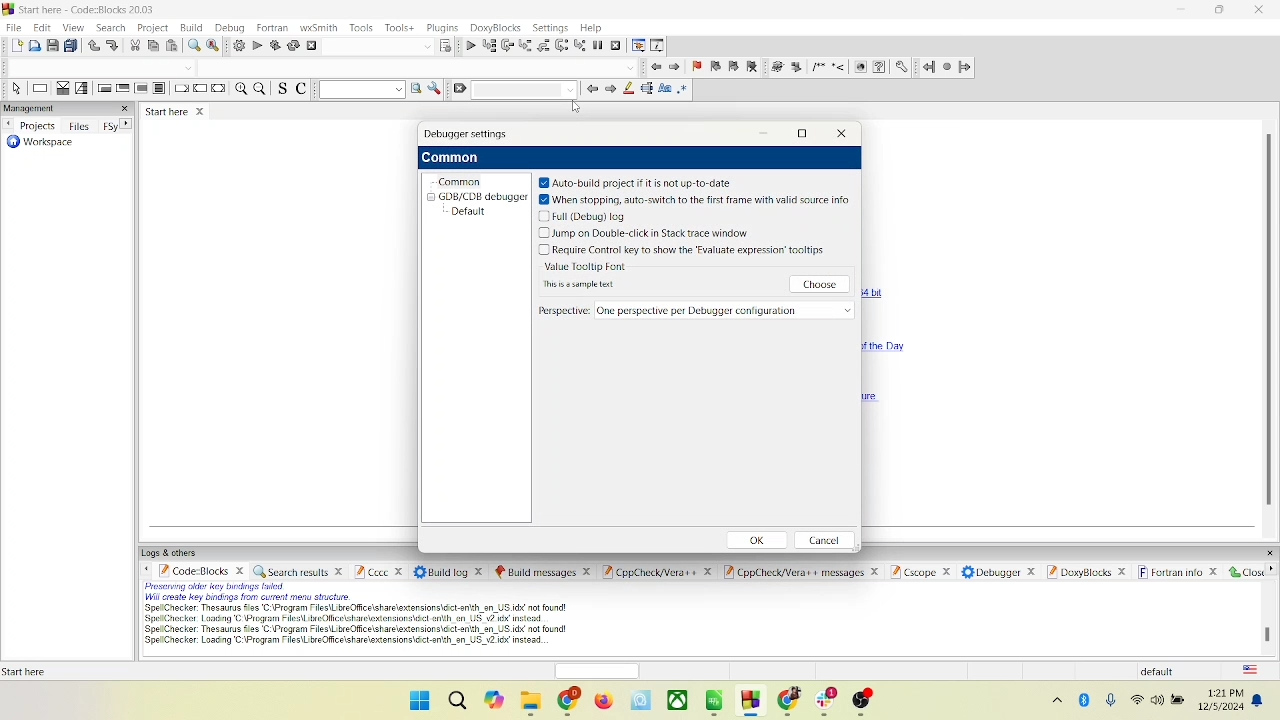  Describe the element at coordinates (1180, 572) in the screenshot. I see `fortran info` at that location.